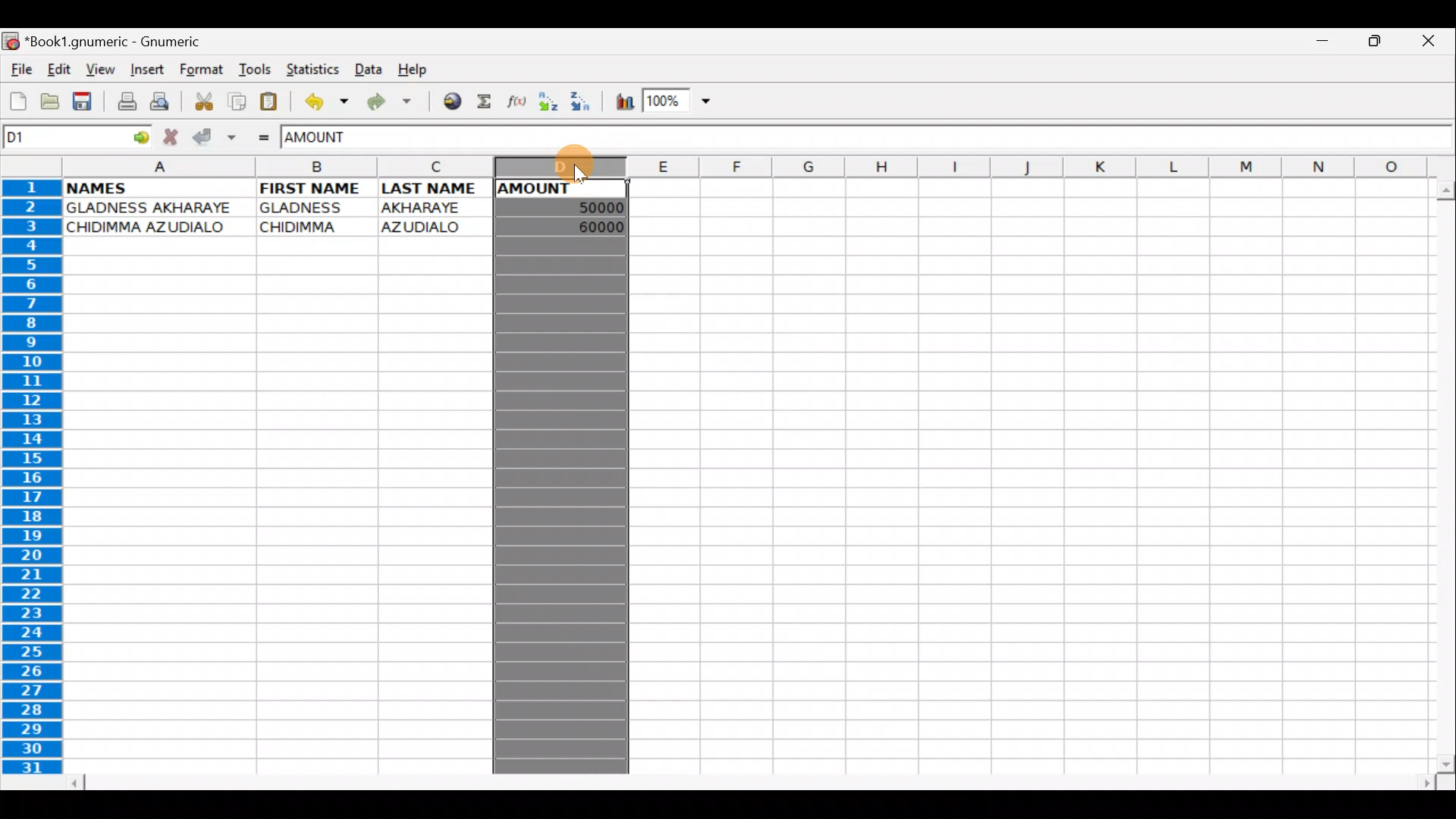 The image size is (1456, 819). What do you see at coordinates (447, 102) in the screenshot?
I see `Insert hyperlink` at bounding box center [447, 102].